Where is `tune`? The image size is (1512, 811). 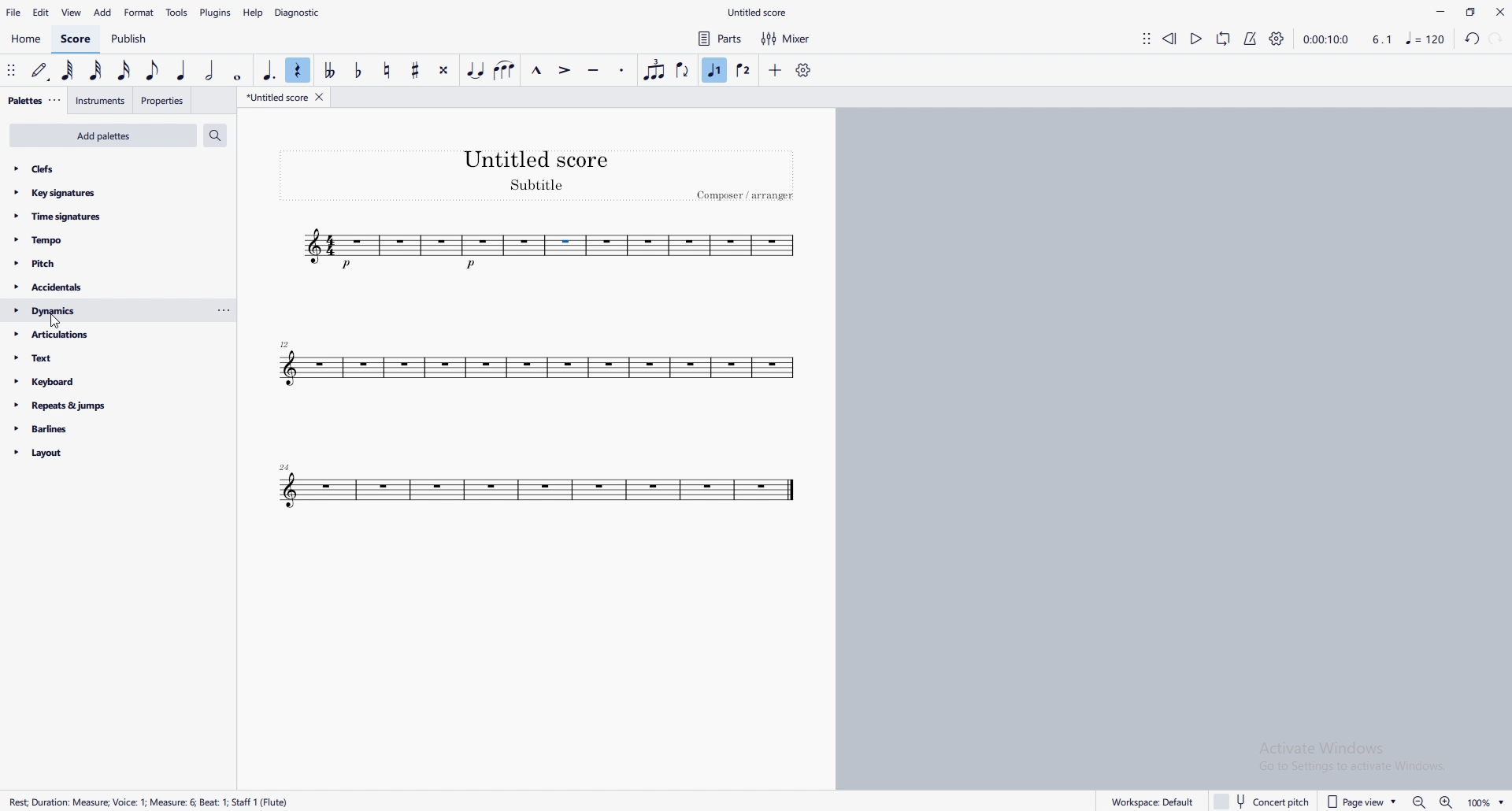 tune is located at coordinates (541, 490).